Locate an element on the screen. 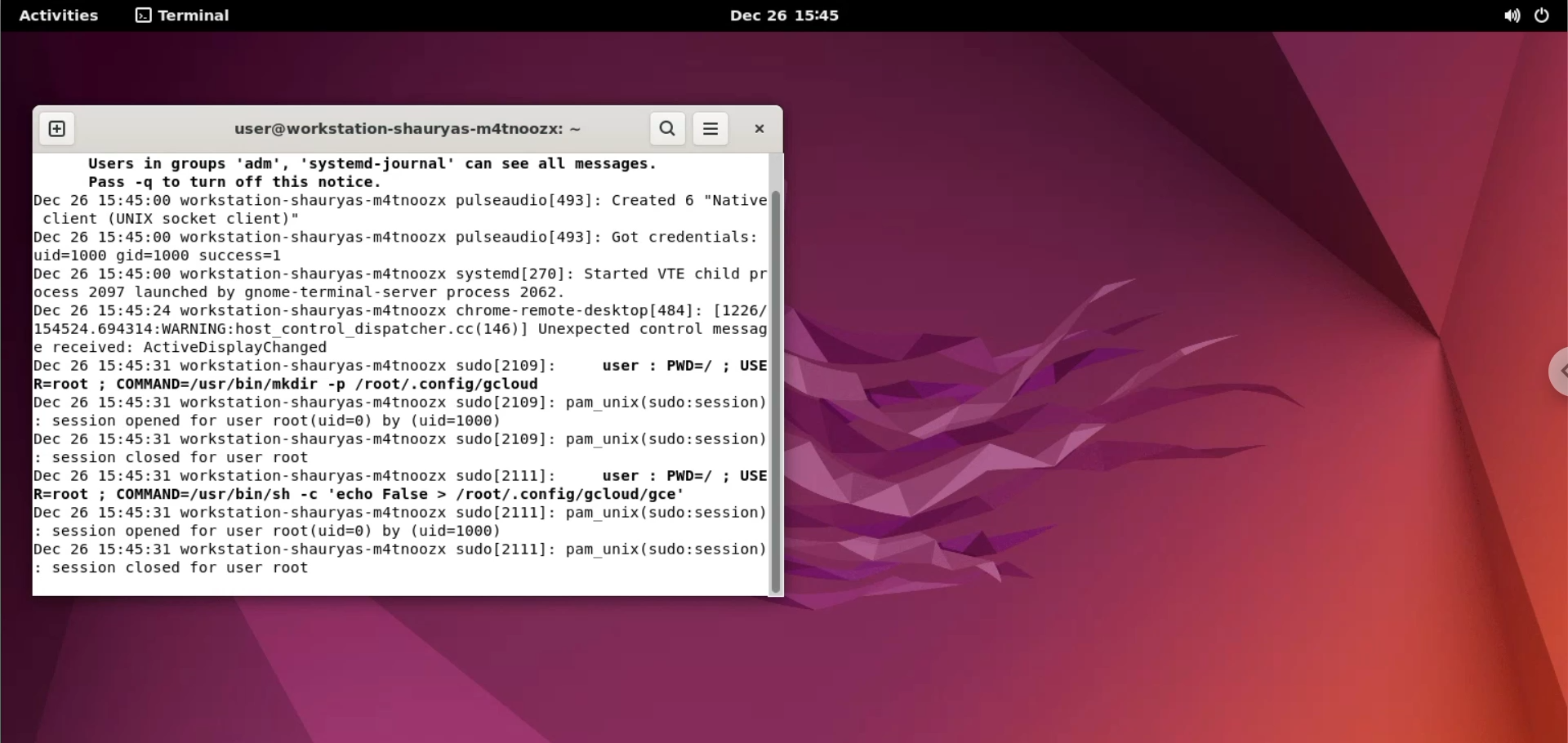 This screenshot has width=1568, height=743. user@workstation-shaurya-m4tnoozx:~ is located at coordinates (405, 127).